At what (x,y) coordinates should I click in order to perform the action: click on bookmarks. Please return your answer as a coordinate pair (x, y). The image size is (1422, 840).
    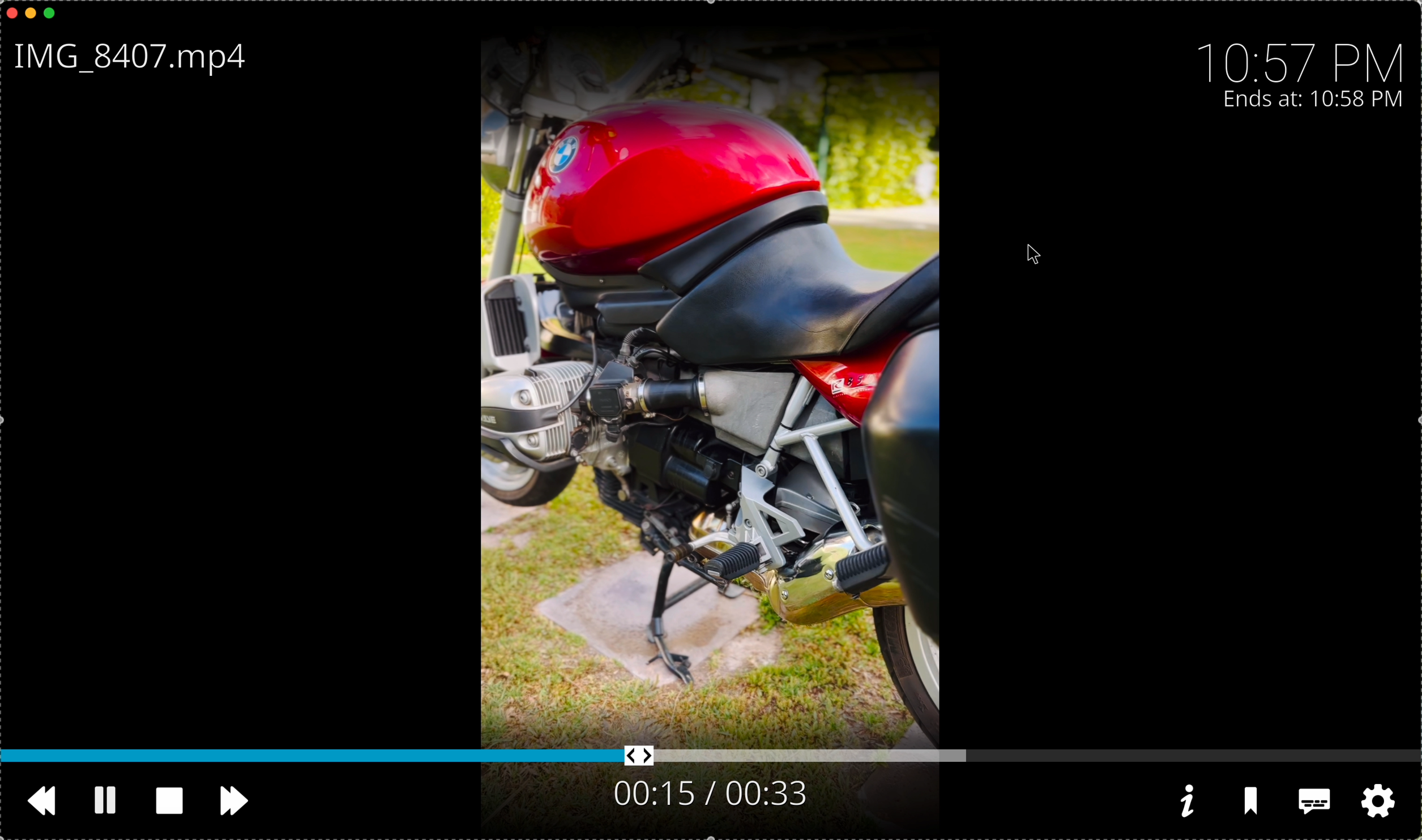
    Looking at the image, I should click on (1253, 803).